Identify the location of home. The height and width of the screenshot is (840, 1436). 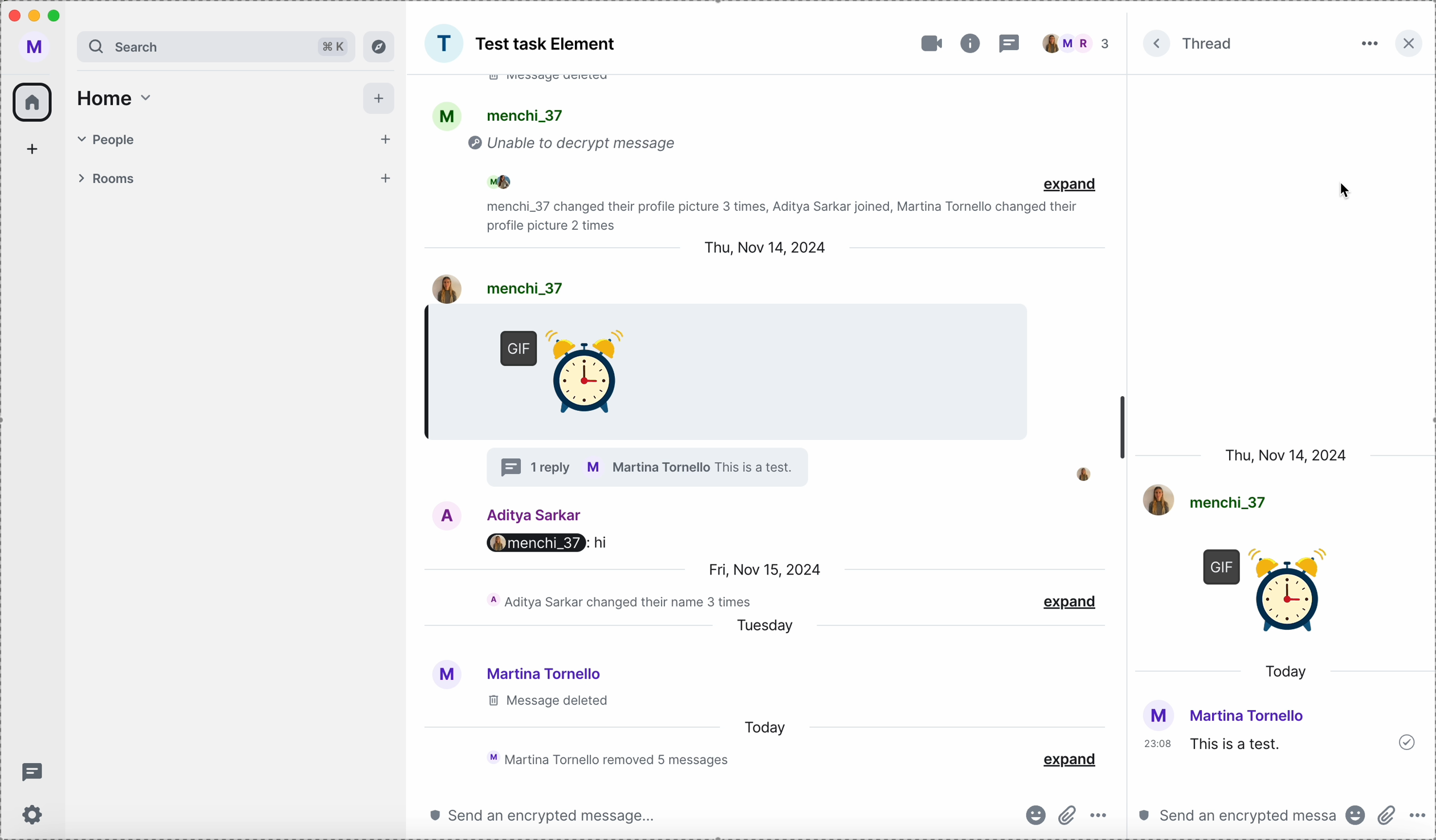
(114, 99).